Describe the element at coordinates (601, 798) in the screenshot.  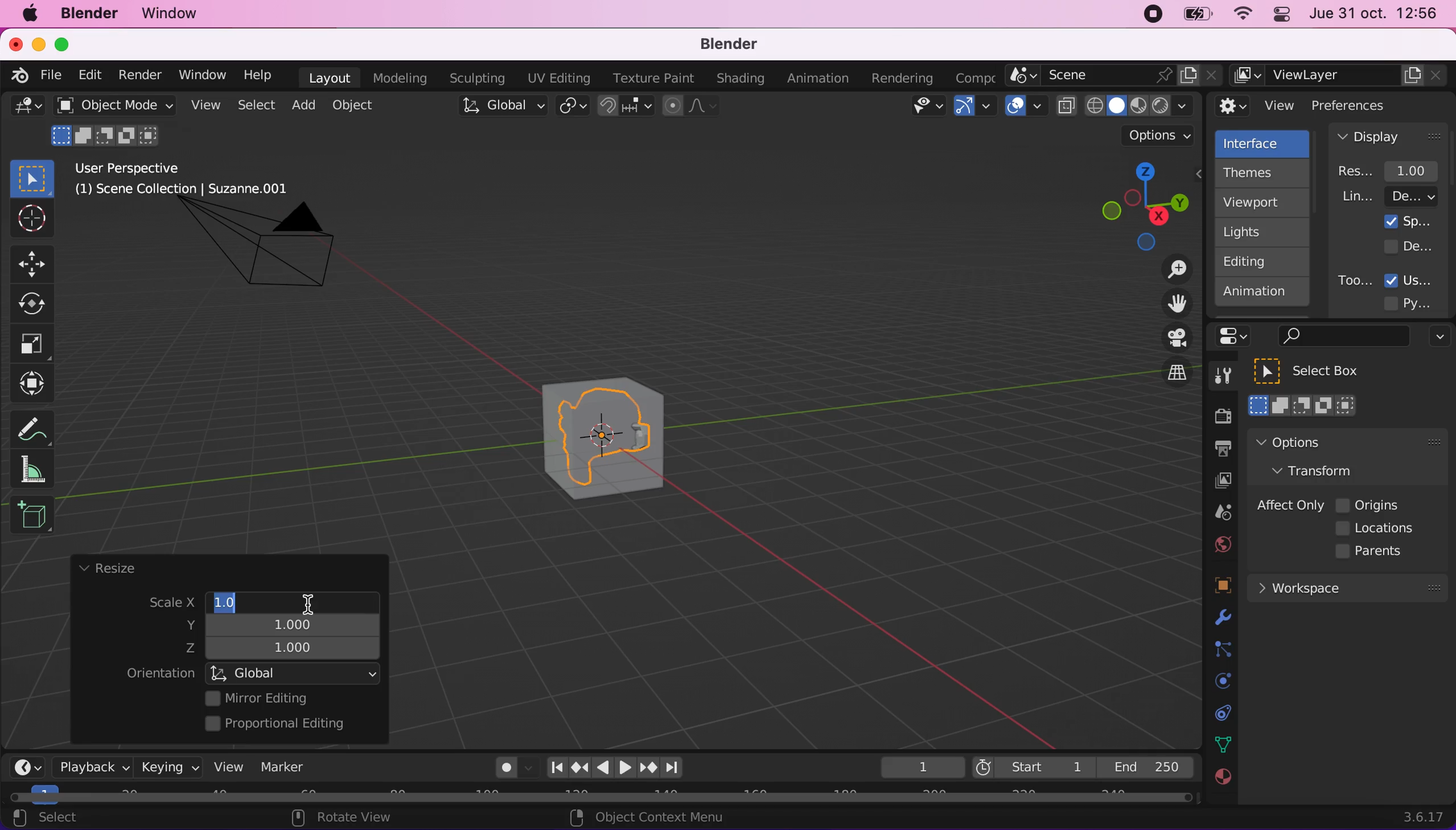
I see `horizontal scroll bar` at that location.